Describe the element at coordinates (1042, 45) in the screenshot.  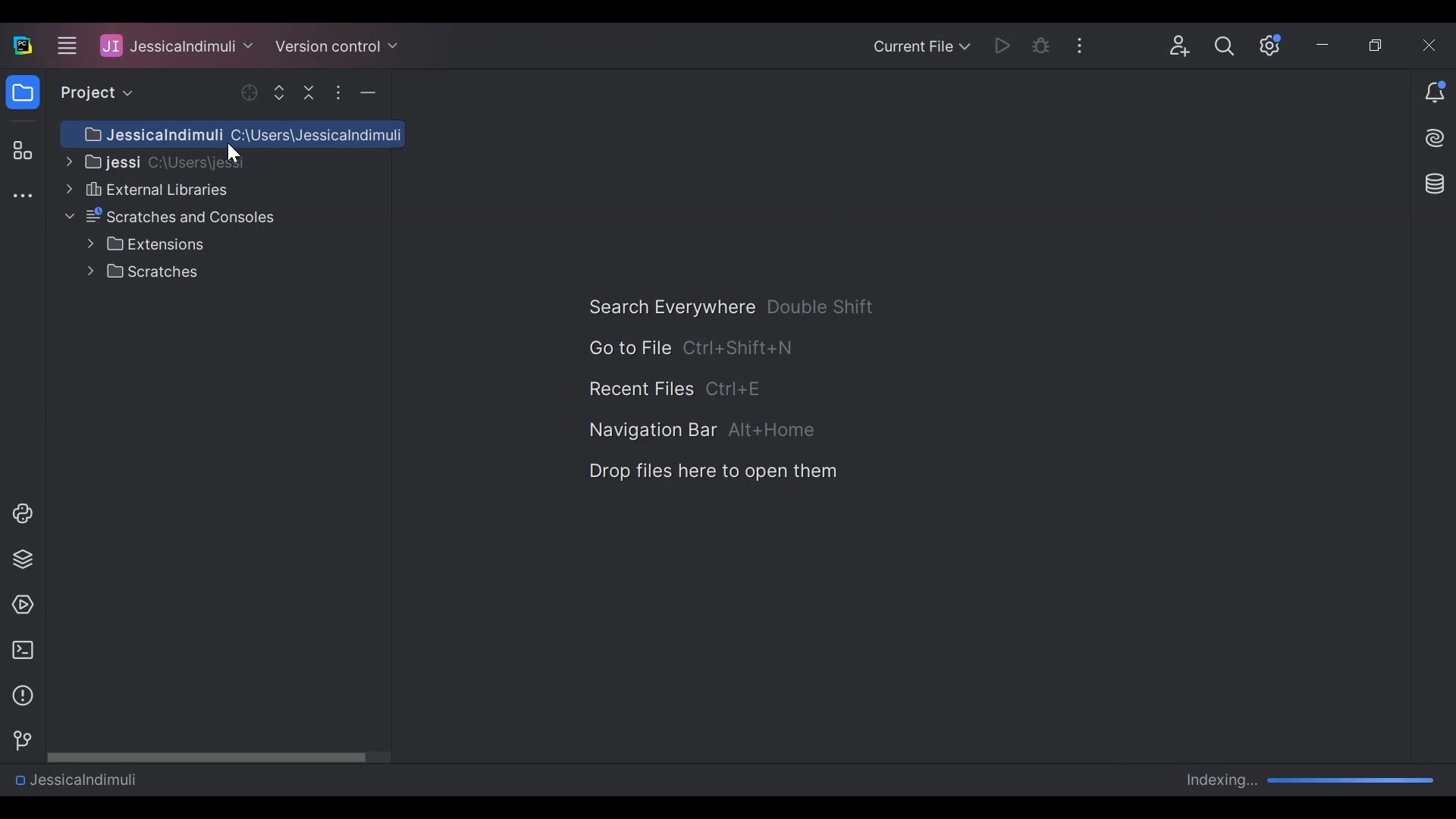
I see `Debug` at that location.